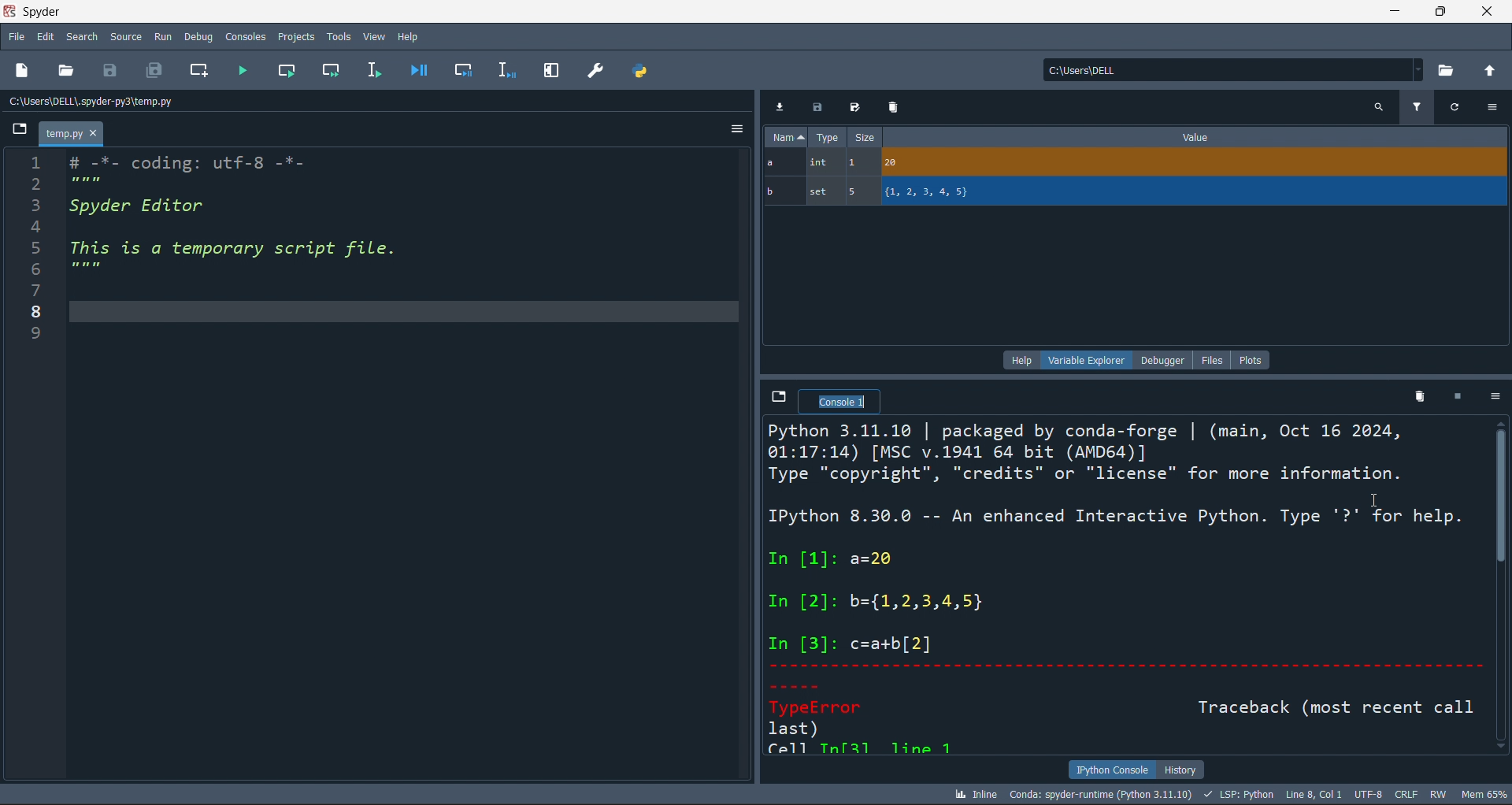  Describe the element at coordinates (973, 793) in the screenshot. I see `INLINE` at that location.